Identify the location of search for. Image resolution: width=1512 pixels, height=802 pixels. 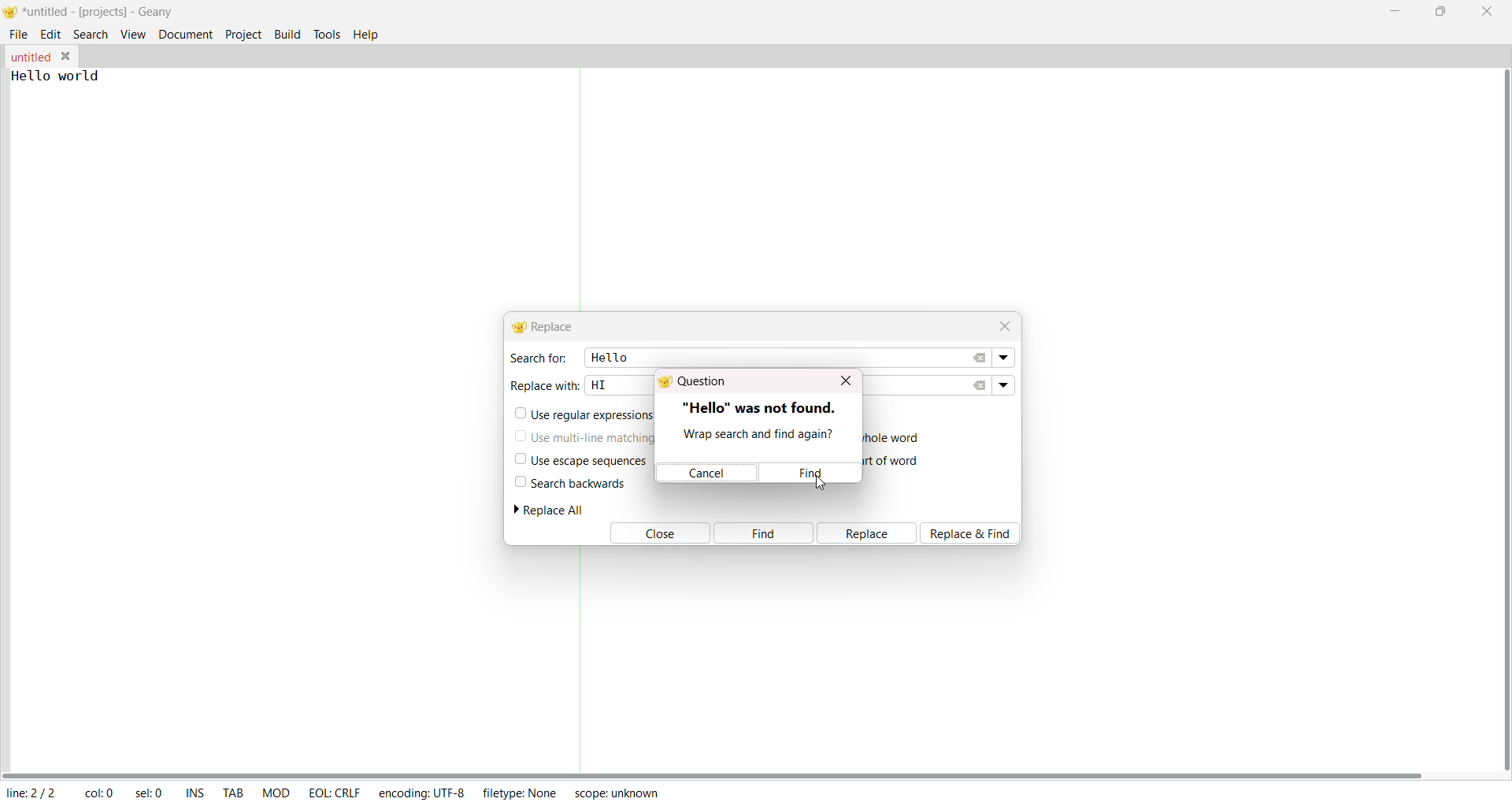
(537, 358).